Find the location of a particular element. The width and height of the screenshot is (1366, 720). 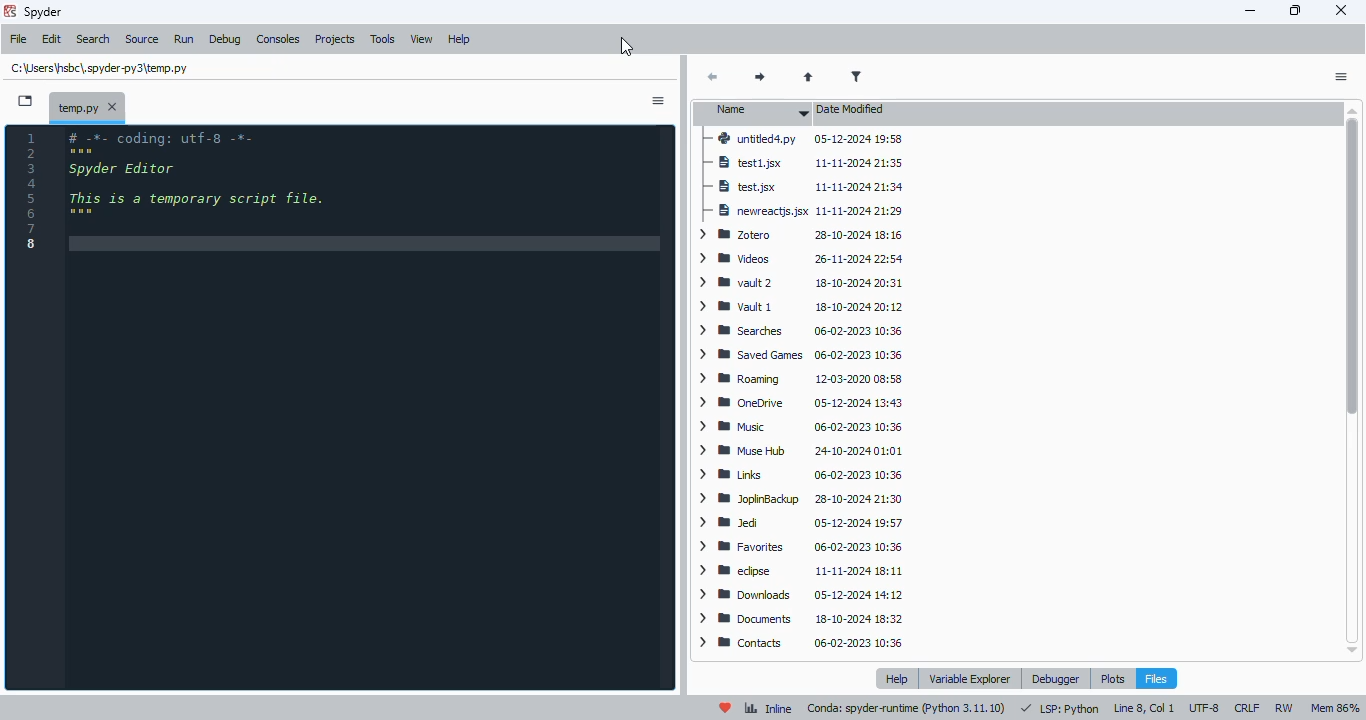

Vault 1 is located at coordinates (800, 306).